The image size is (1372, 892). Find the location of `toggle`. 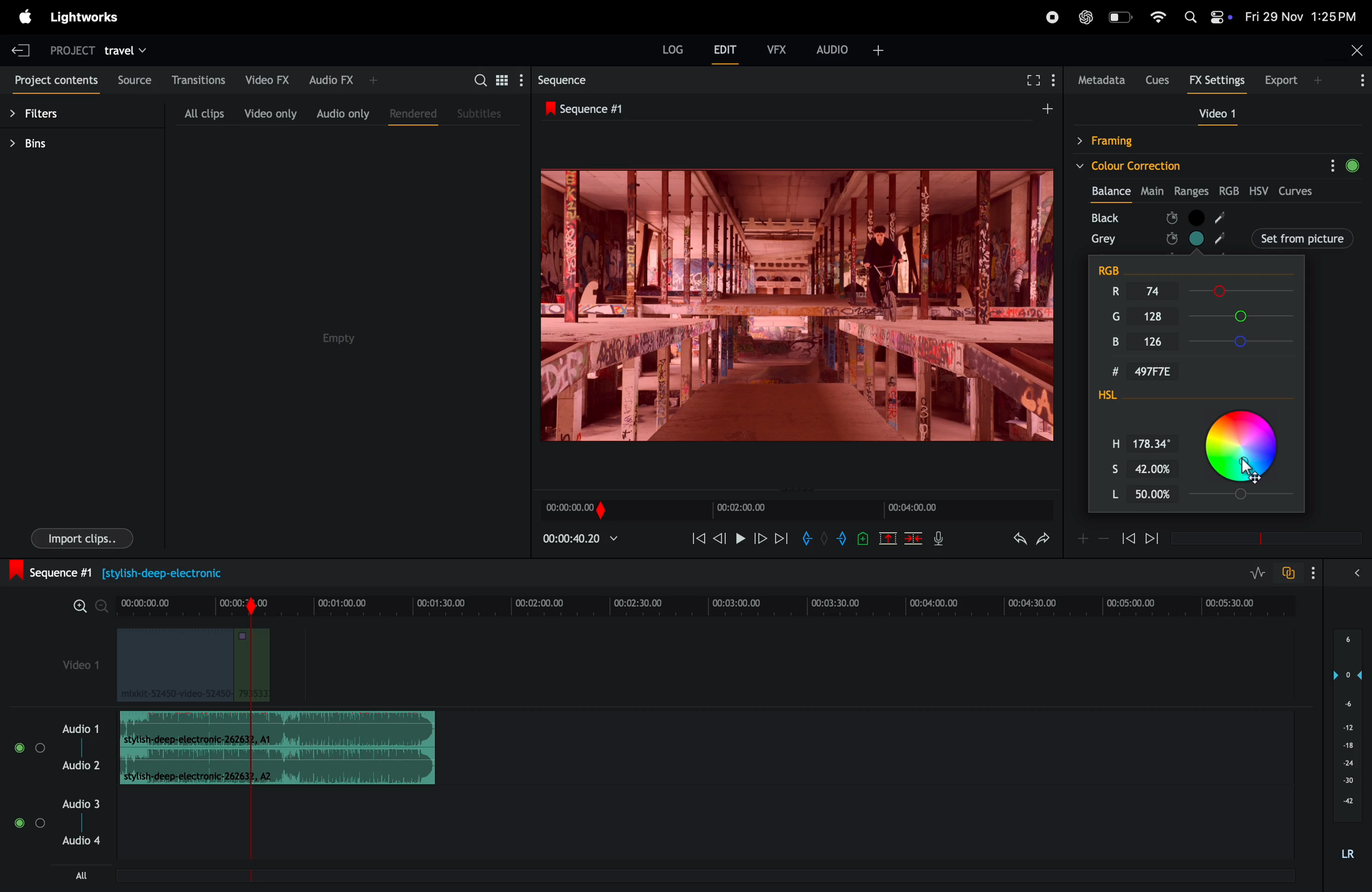

toggle is located at coordinates (41, 748).